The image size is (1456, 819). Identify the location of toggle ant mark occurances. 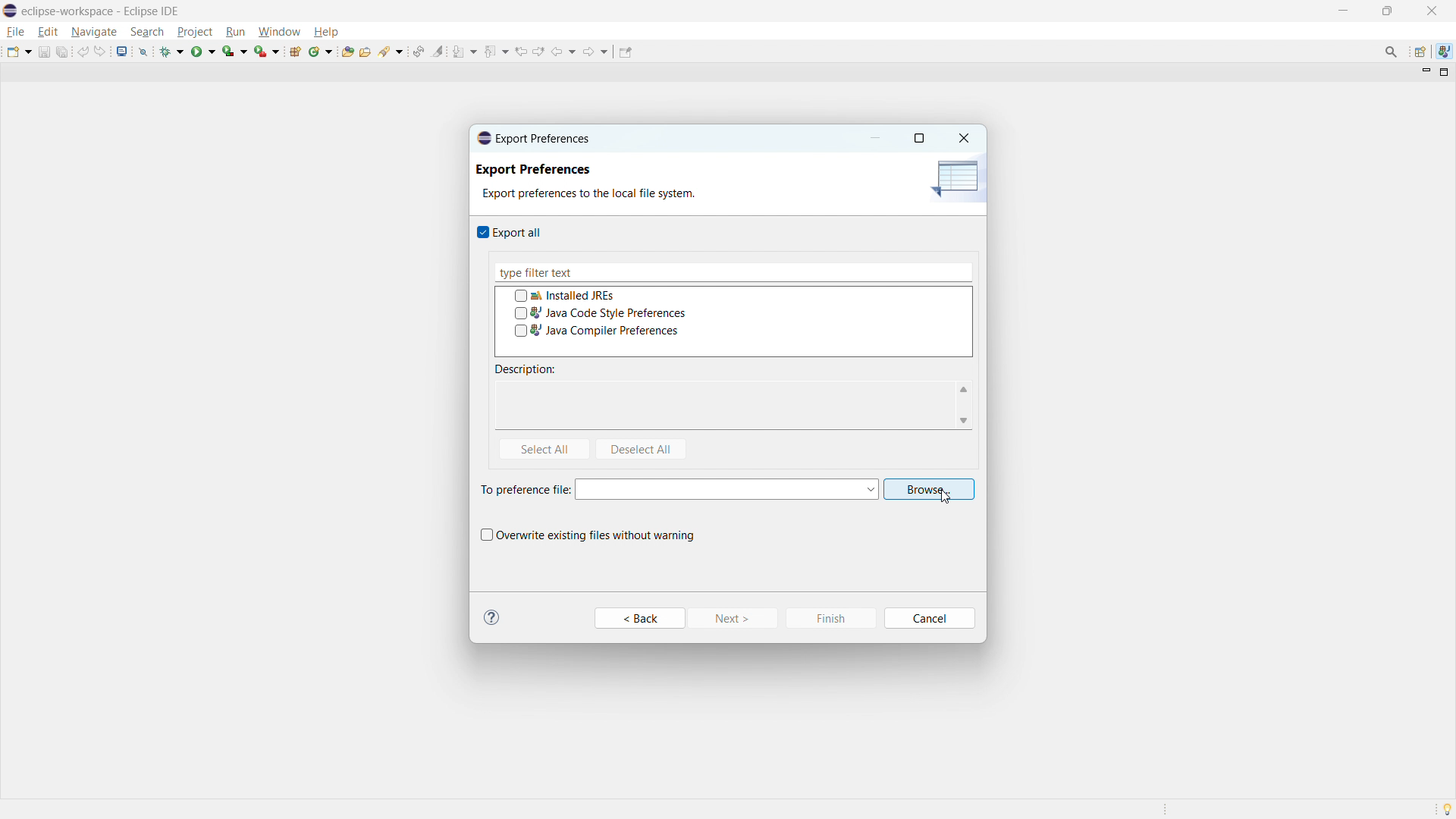
(438, 51).